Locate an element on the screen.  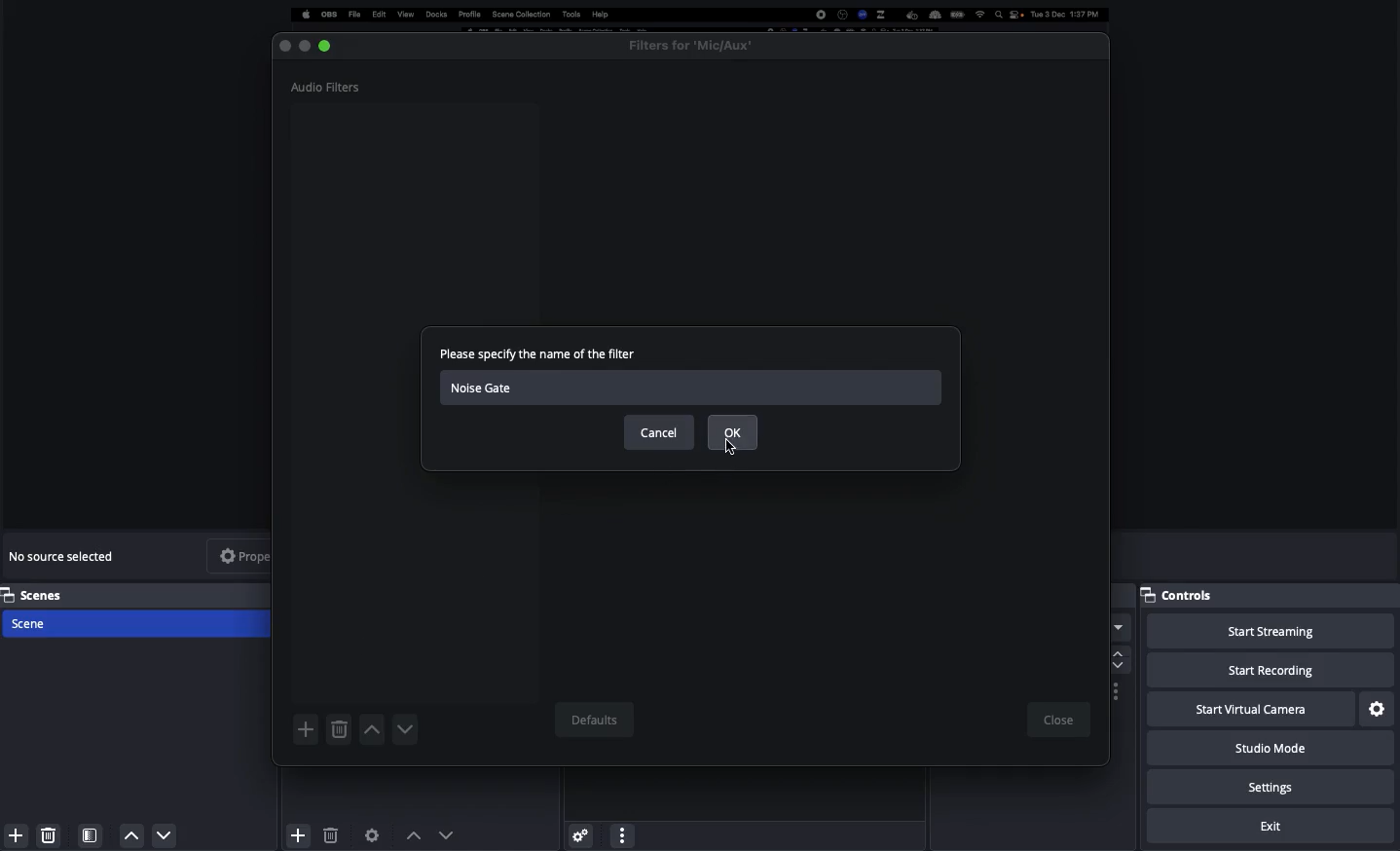
Delete is located at coordinates (330, 835).